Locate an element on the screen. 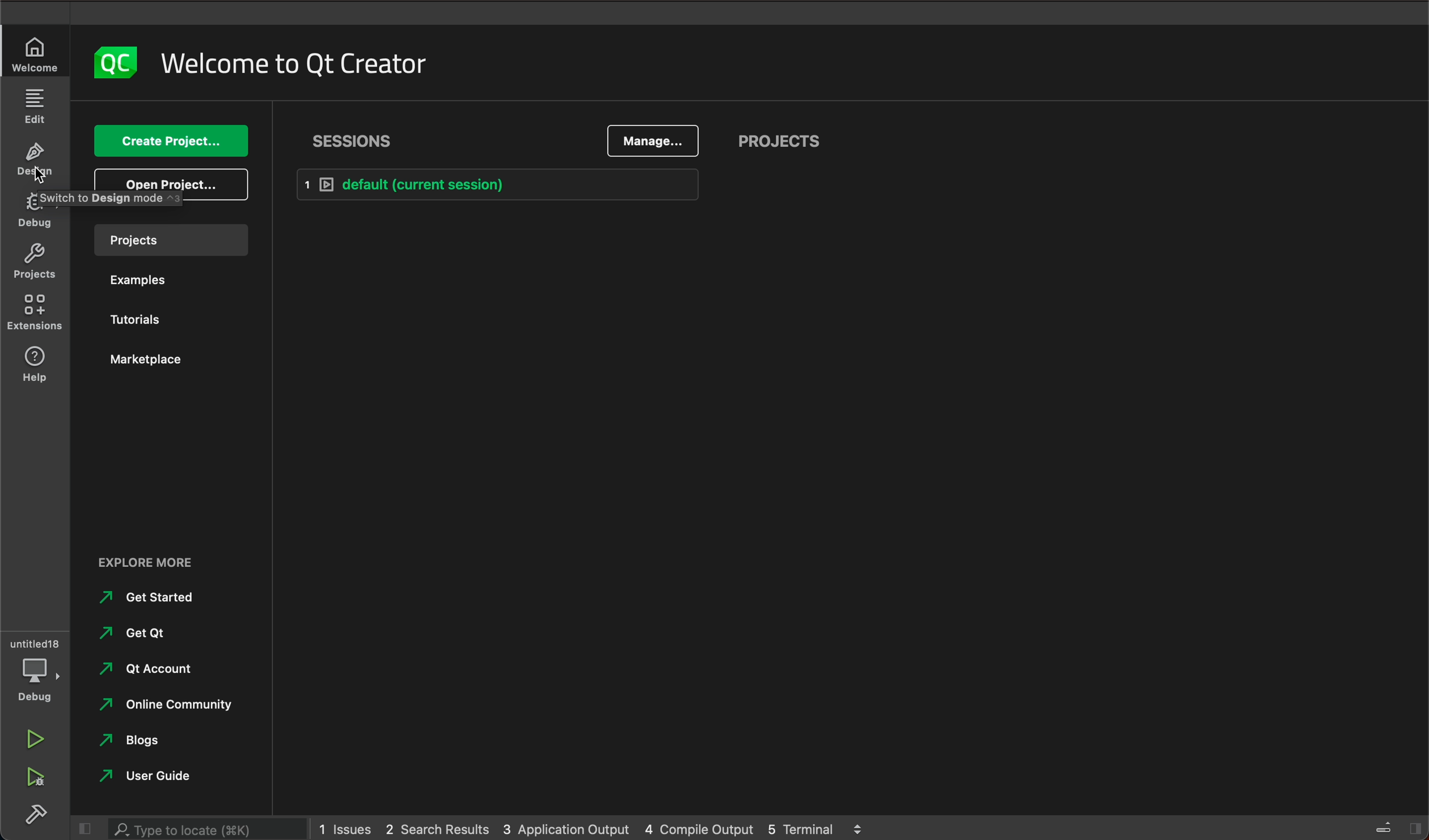 This screenshot has height=840, width=1429. cursor is located at coordinates (42, 176).